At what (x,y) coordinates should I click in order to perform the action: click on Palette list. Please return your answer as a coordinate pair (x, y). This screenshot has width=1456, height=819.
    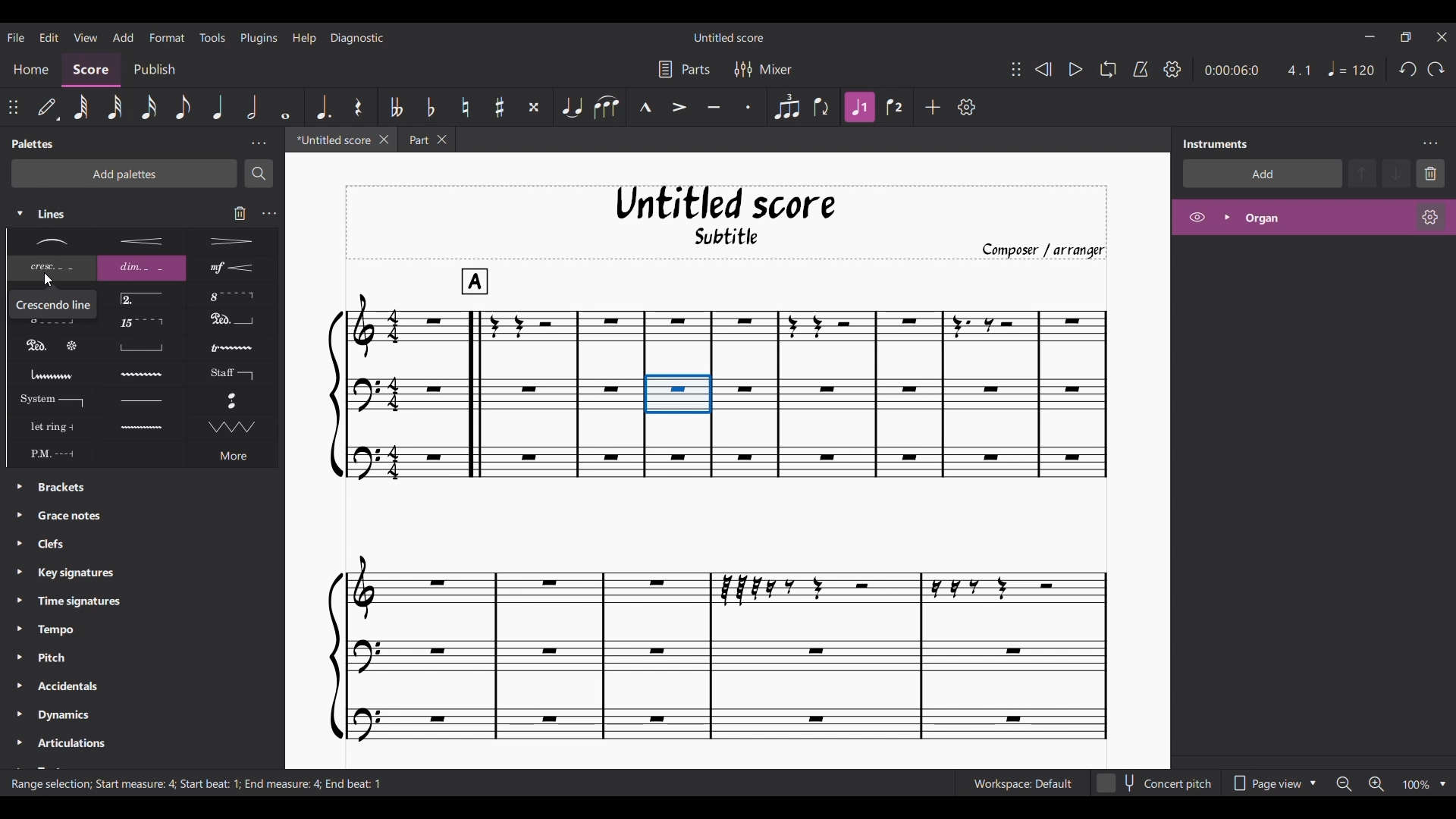
    Looking at the image, I should click on (152, 623).